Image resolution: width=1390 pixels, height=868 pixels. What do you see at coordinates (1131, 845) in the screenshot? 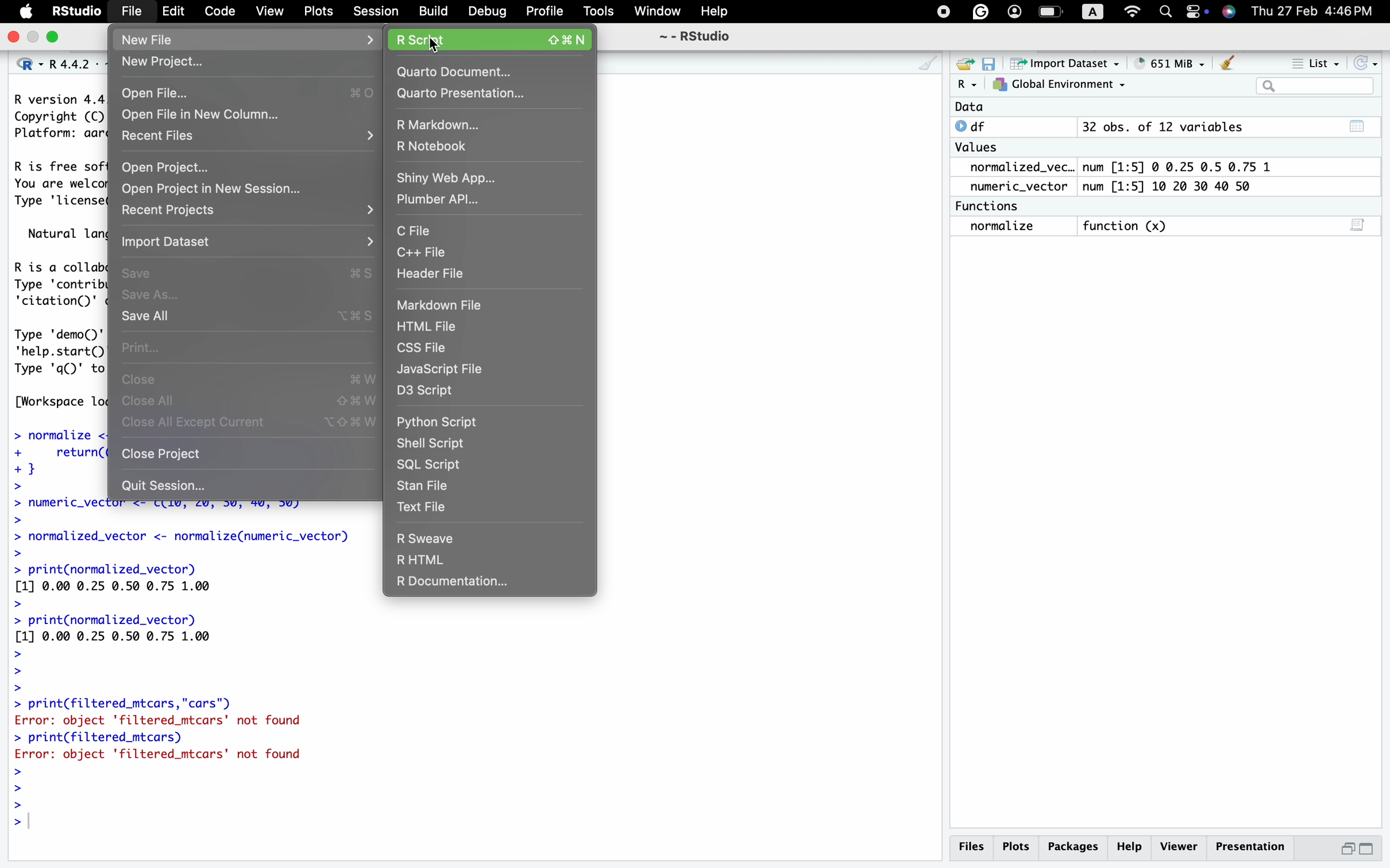
I see `Help` at bounding box center [1131, 845].